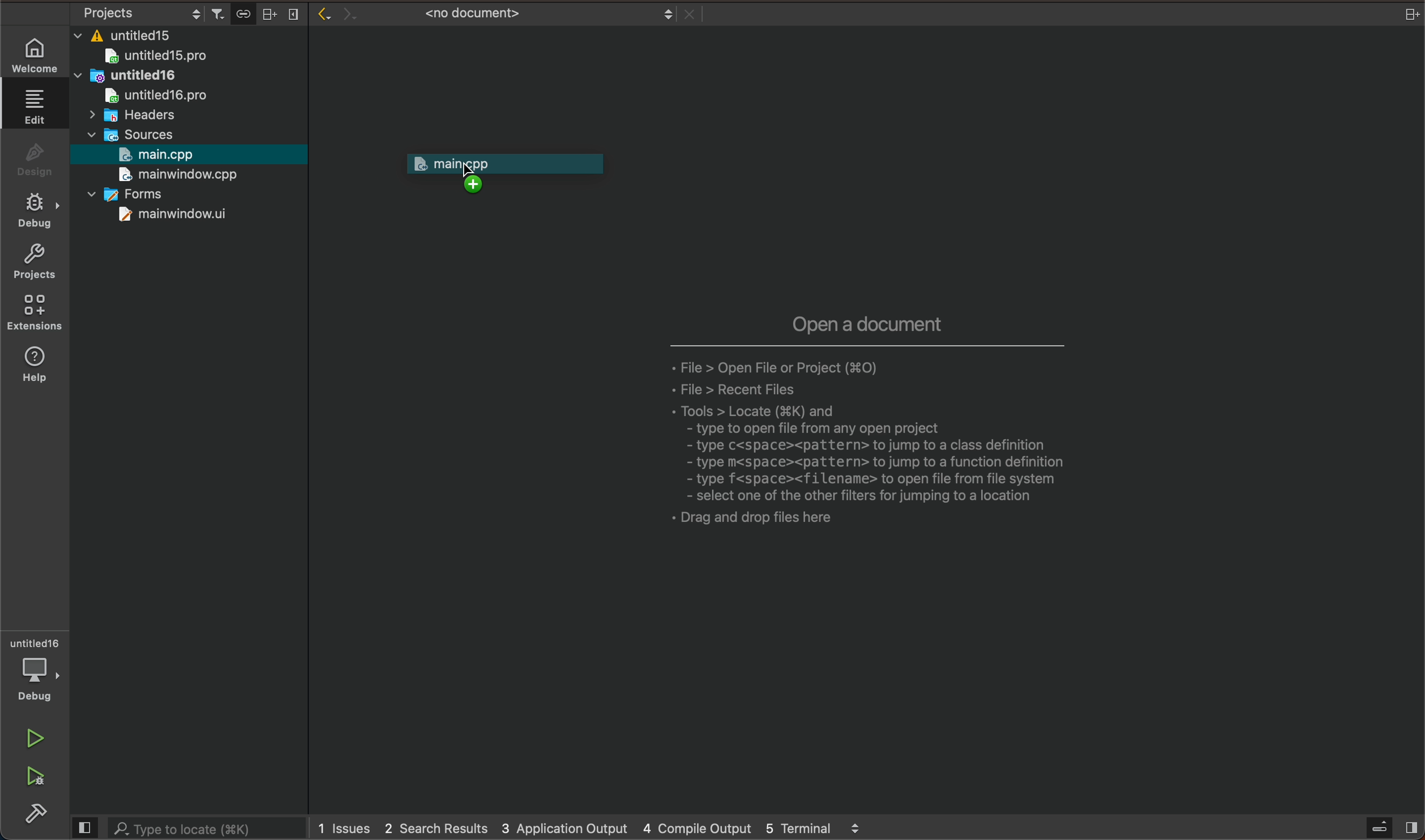  Describe the element at coordinates (32, 106) in the screenshot. I see `edit` at that location.